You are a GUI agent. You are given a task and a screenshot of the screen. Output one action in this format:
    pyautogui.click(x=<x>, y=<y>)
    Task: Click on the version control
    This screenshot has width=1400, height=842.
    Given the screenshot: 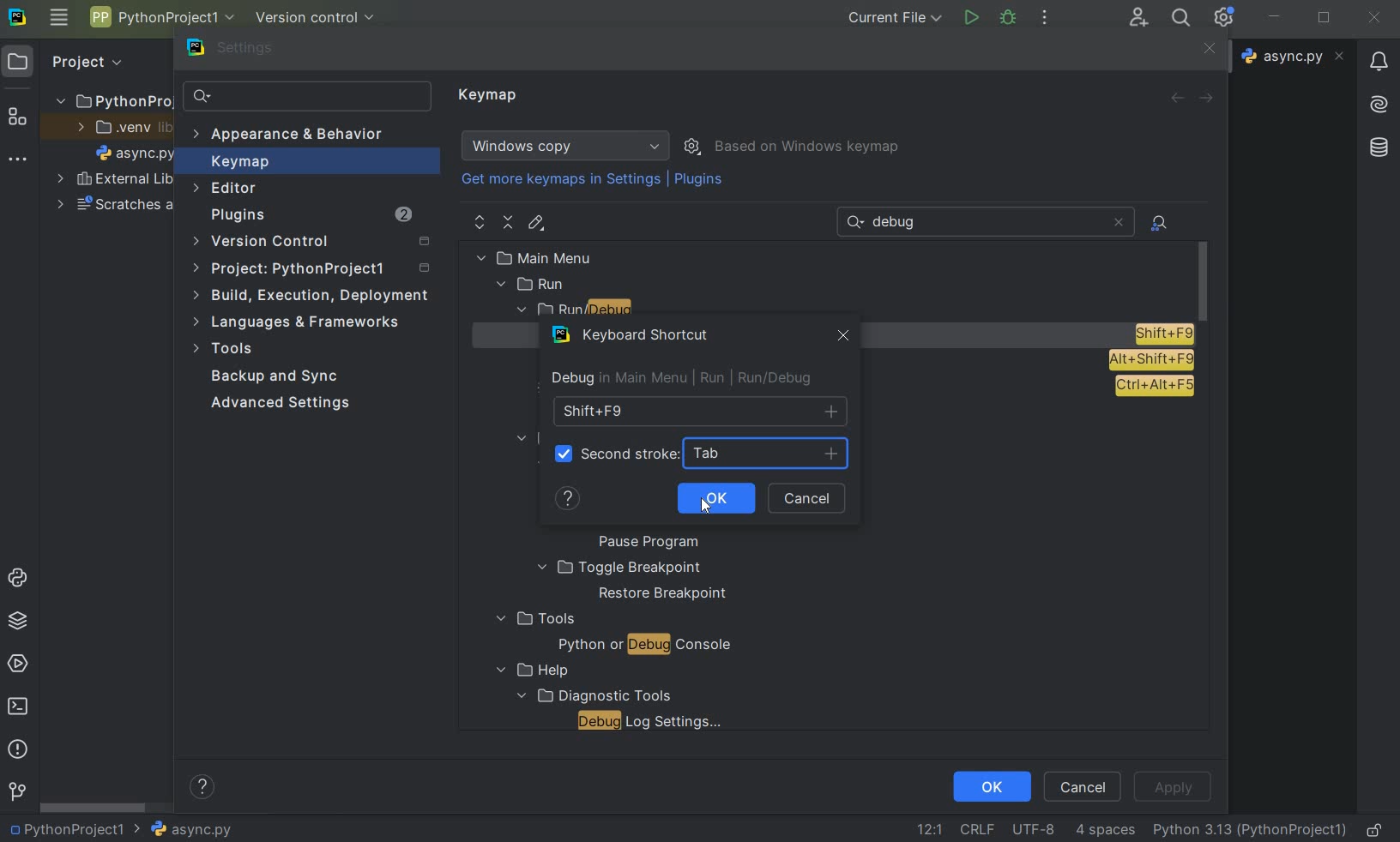 What is the action you would take?
    pyautogui.click(x=317, y=243)
    